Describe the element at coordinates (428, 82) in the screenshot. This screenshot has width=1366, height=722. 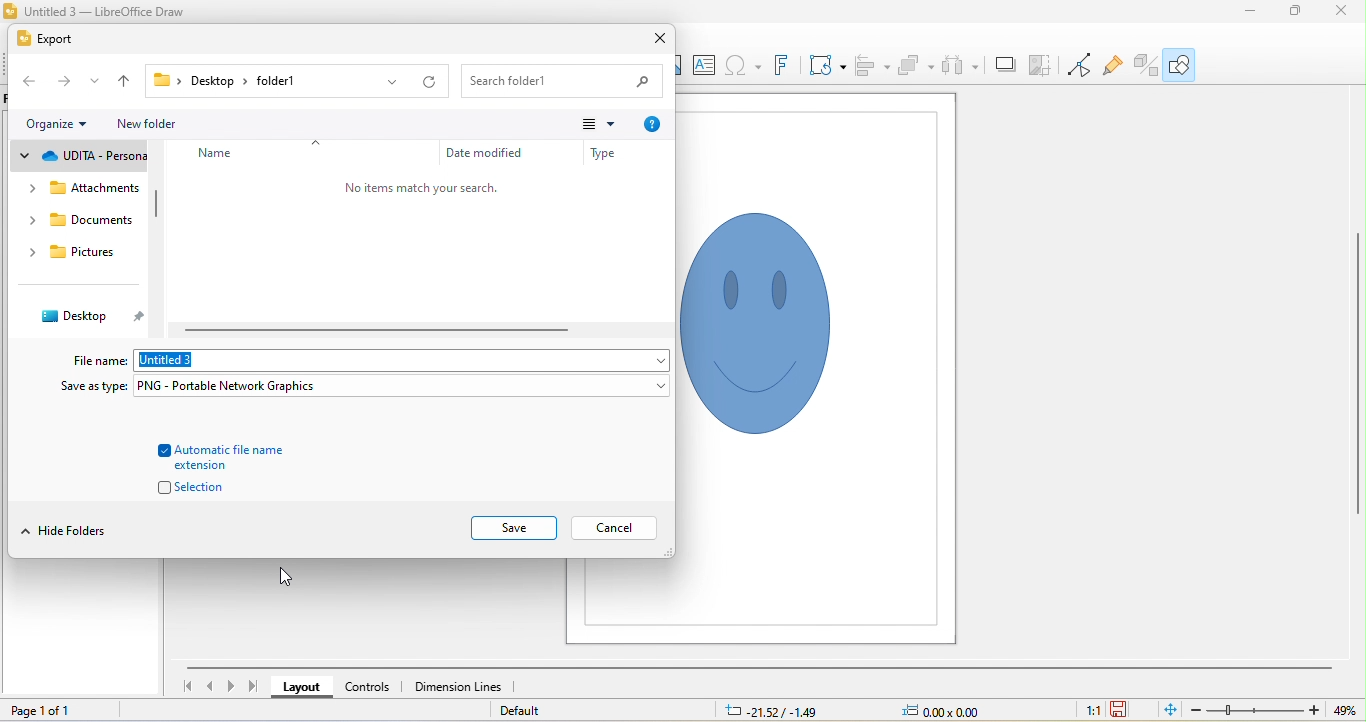
I see `refresh` at that location.